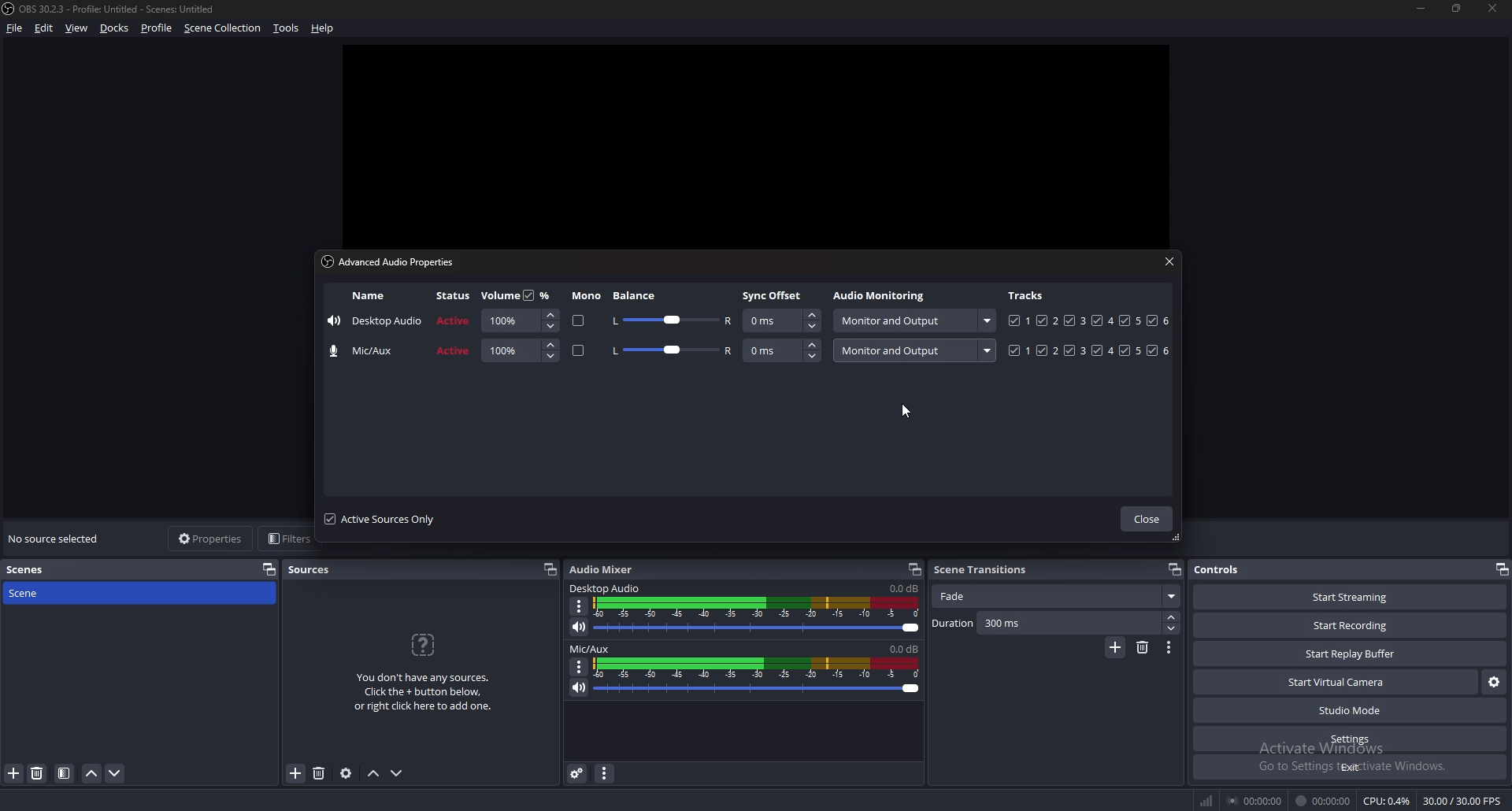 The width and height of the screenshot is (1512, 811). I want to click on duration, so click(1045, 624).